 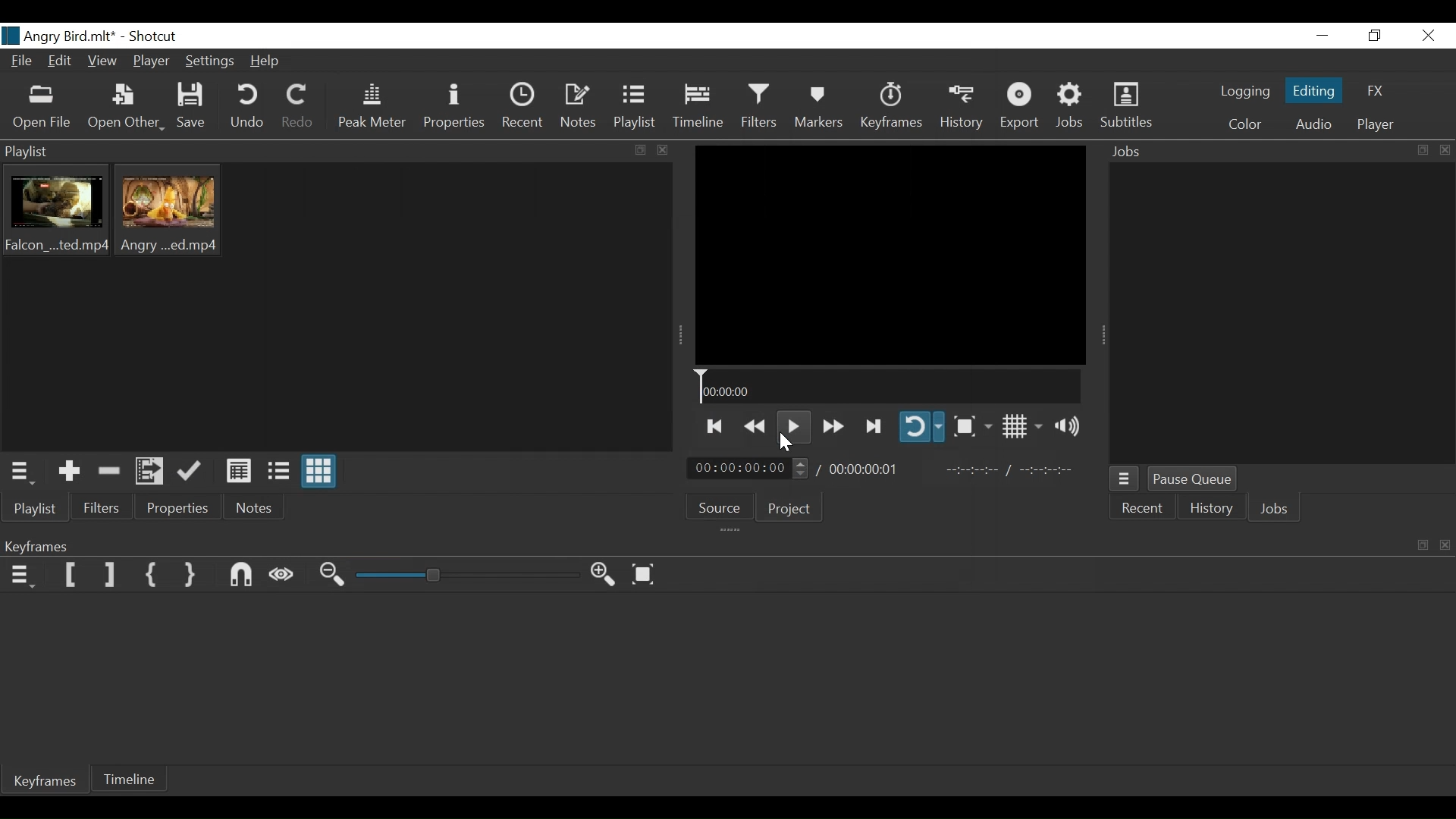 What do you see at coordinates (375, 108) in the screenshot?
I see `Peak Meter` at bounding box center [375, 108].